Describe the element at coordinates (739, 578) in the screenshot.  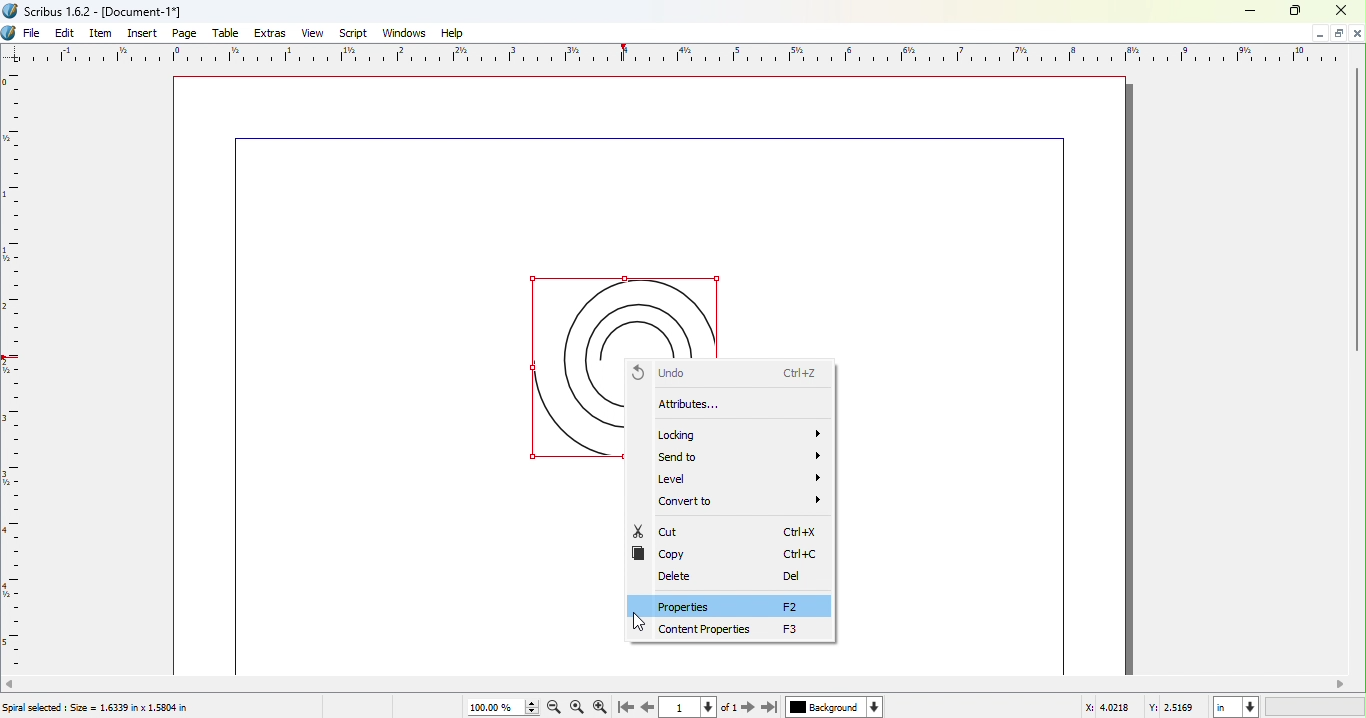
I see `Delete` at that location.